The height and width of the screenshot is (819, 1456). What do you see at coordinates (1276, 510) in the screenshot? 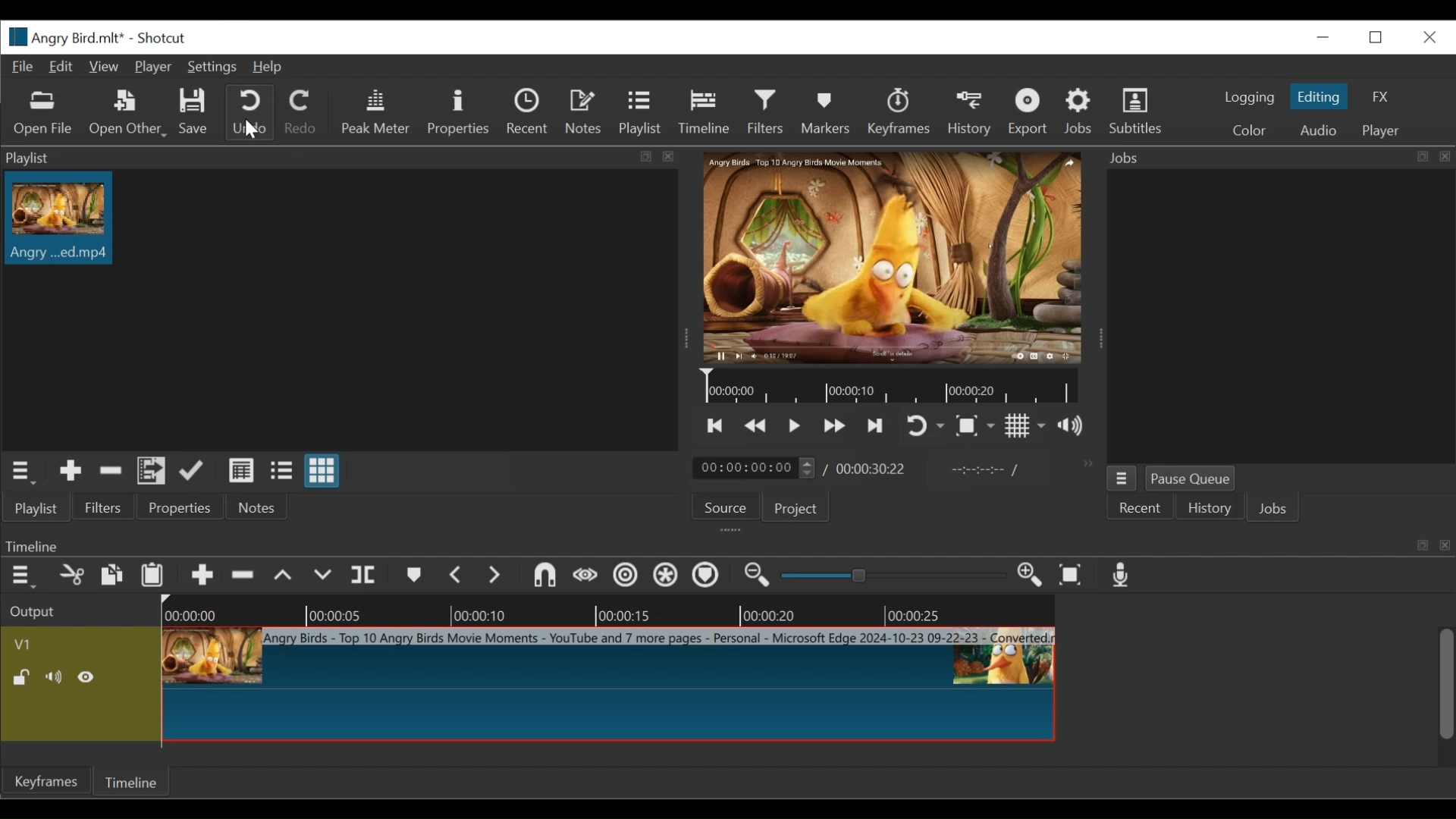
I see `Jobs` at bounding box center [1276, 510].